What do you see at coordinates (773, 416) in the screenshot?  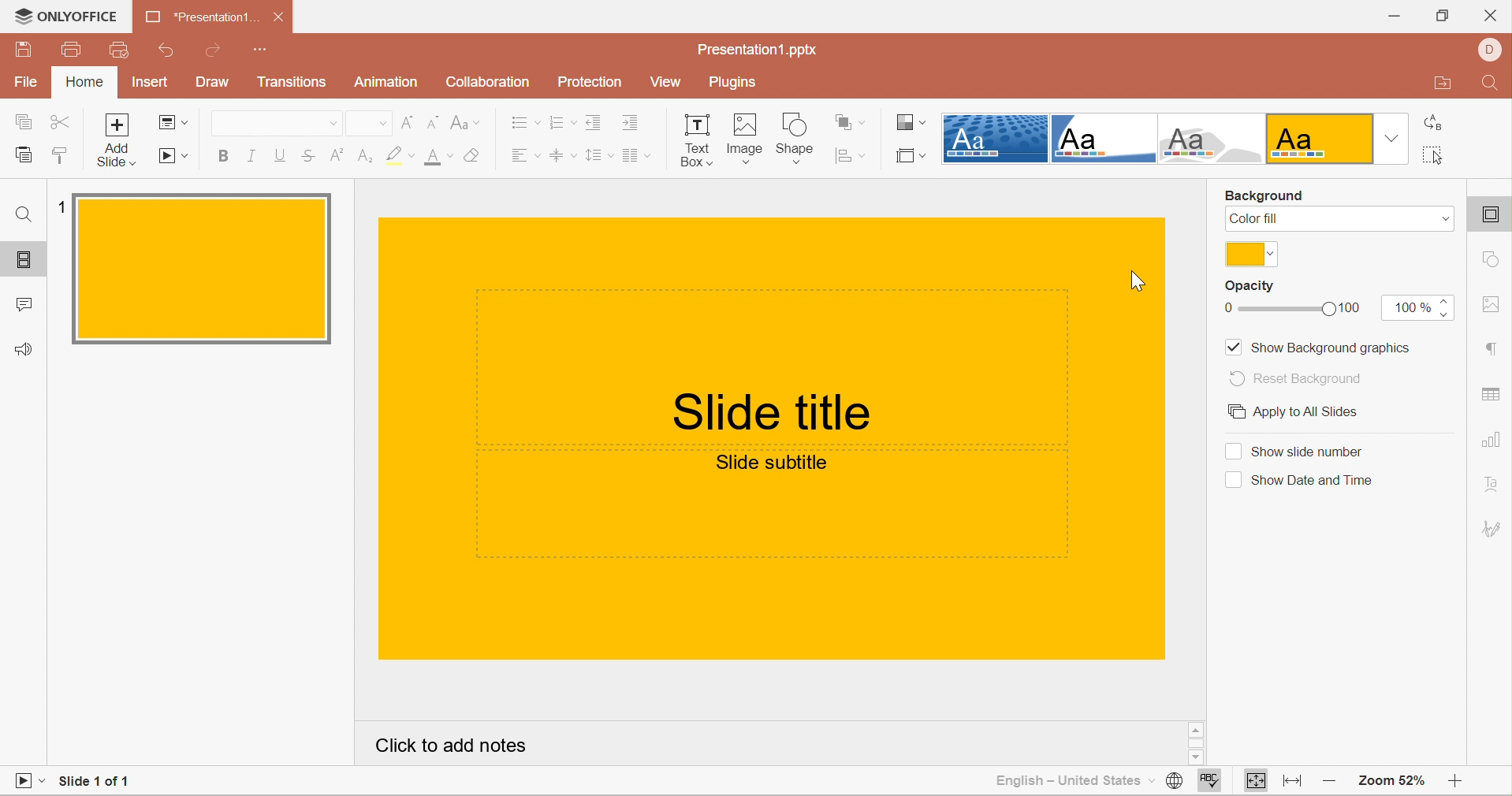 I see `Slide Title` at bounding box center [773, 416].